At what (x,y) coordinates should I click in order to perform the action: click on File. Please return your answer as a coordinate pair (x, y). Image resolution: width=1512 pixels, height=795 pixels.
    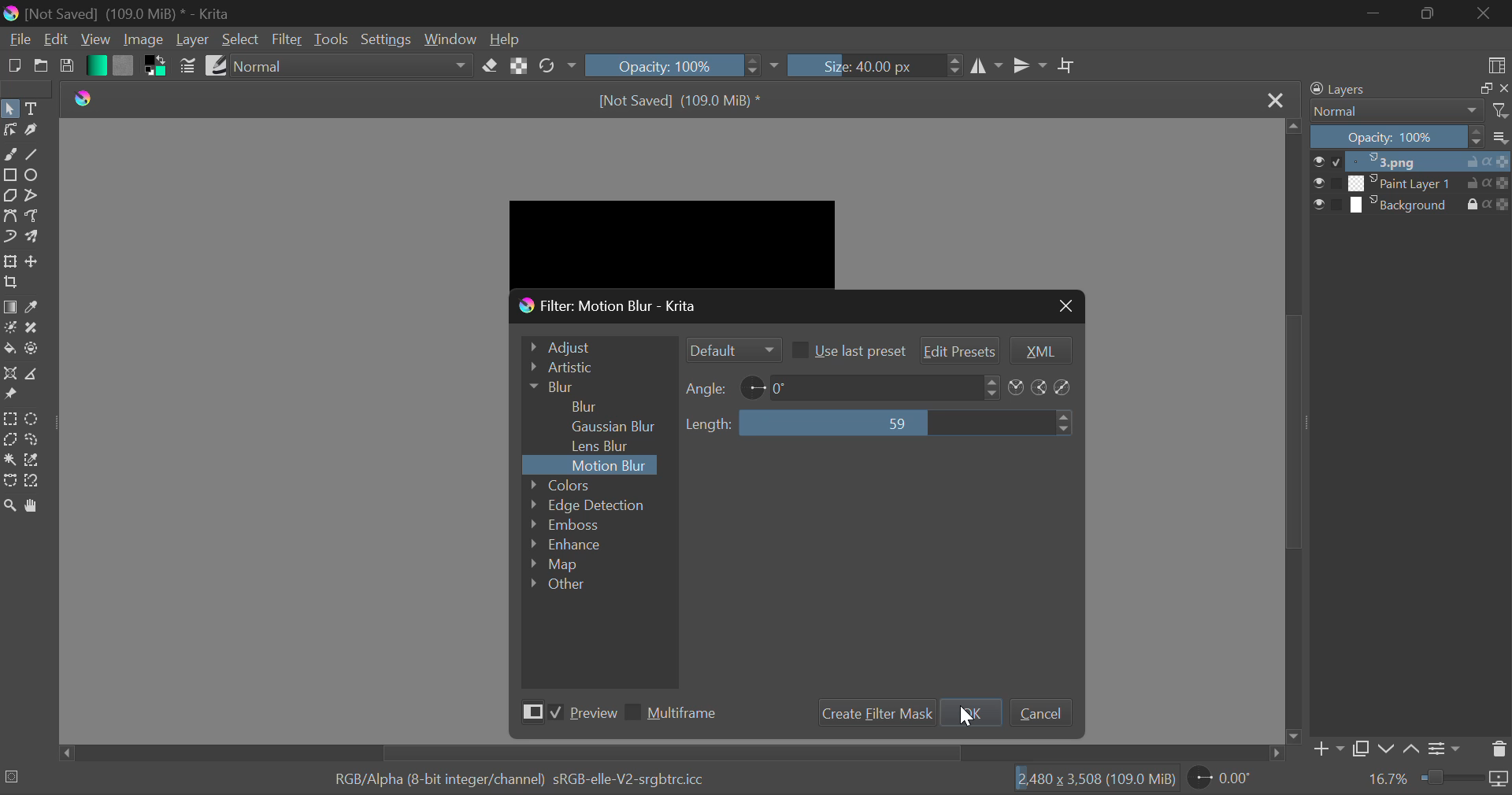
    Looking at the image, I should click on (18, 42).